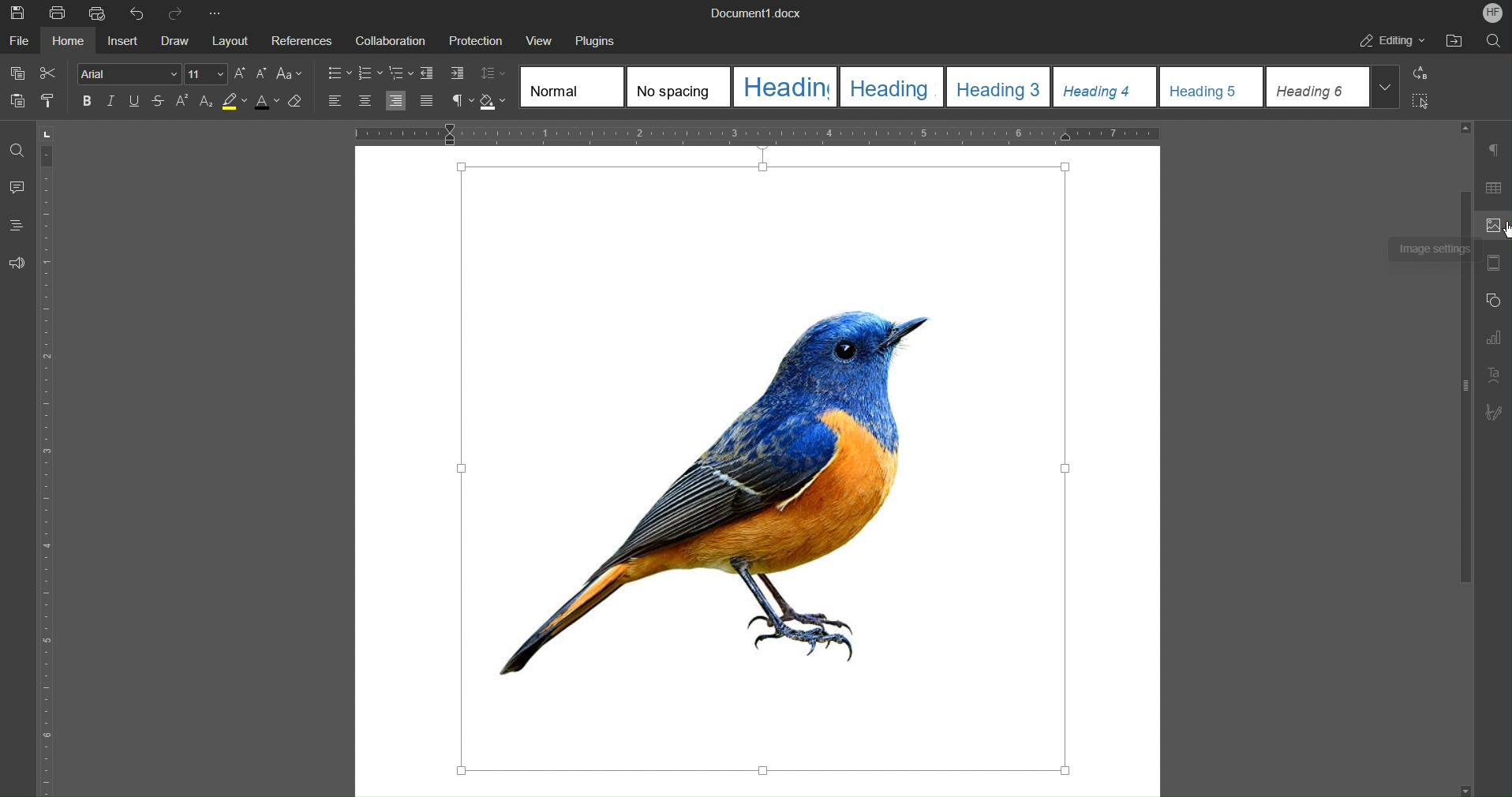 The height and width of the screenshot is (797, 1512). What do you see at coordinates (1000, 86) in the screenshot?
I see `Heading 3` at bounding box center [1000, 86].